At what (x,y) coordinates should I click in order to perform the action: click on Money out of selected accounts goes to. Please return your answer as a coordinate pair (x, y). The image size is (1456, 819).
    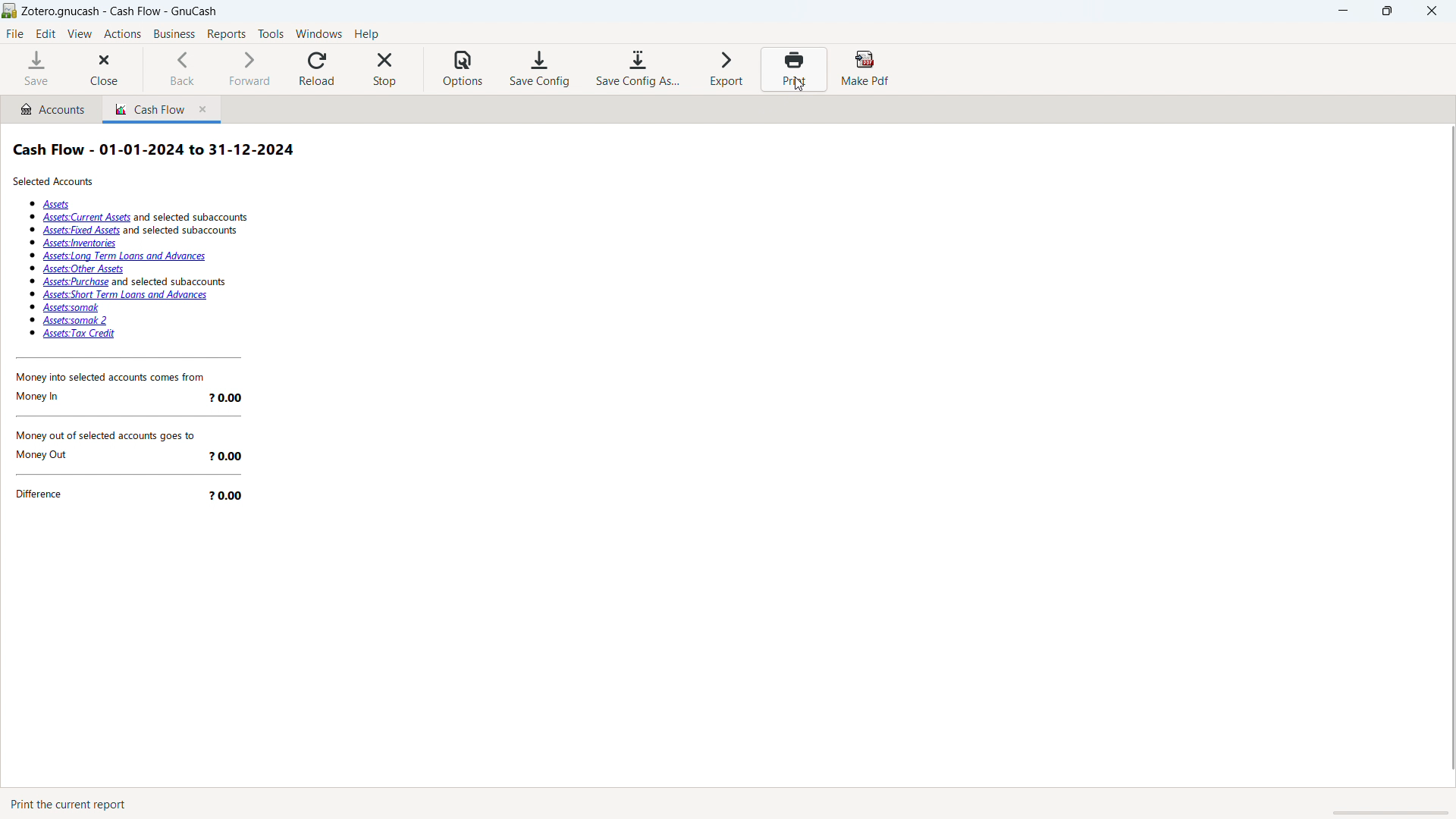
    Looking at the image, I should click on (129, 432).